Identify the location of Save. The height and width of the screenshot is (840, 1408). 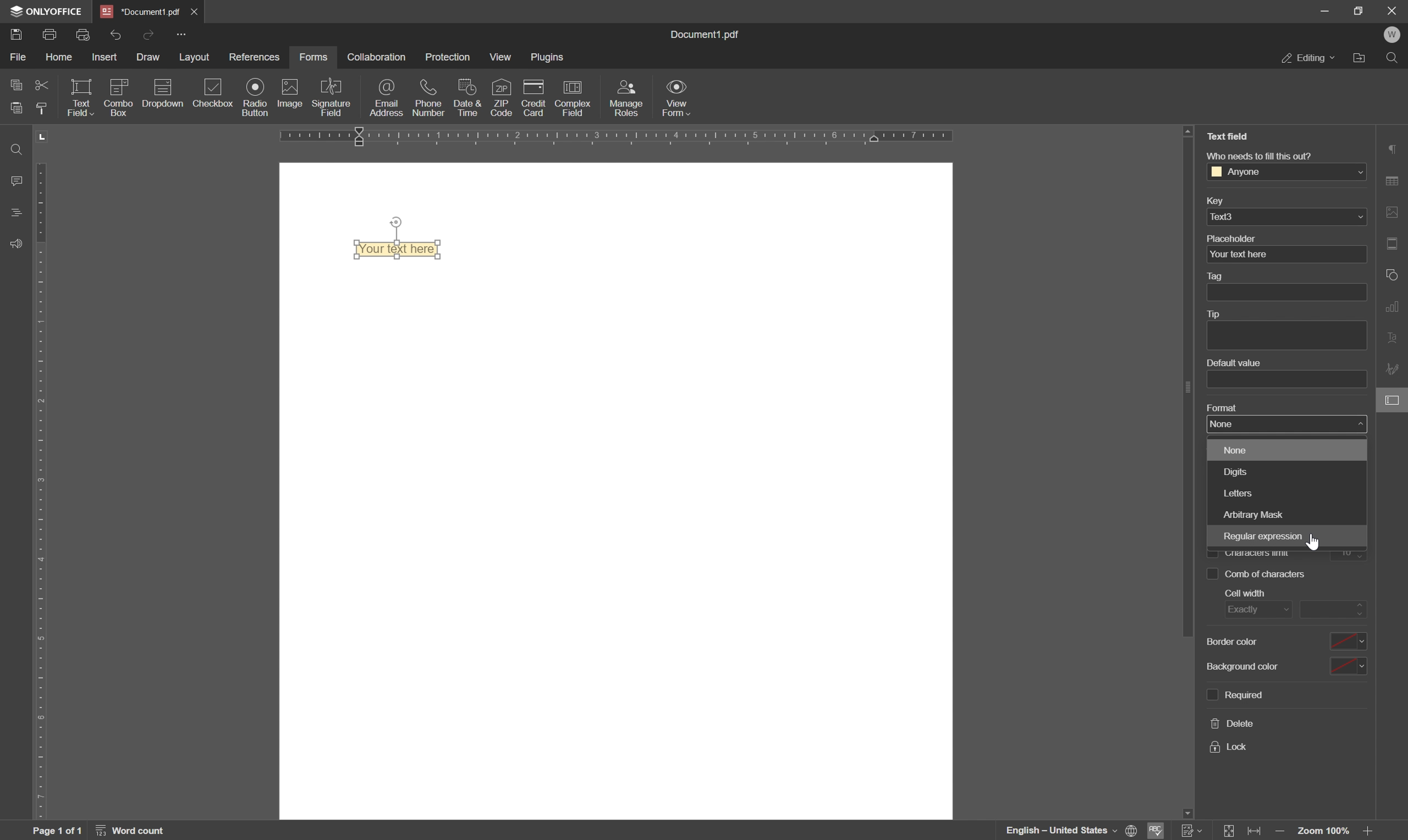
(17, 36).